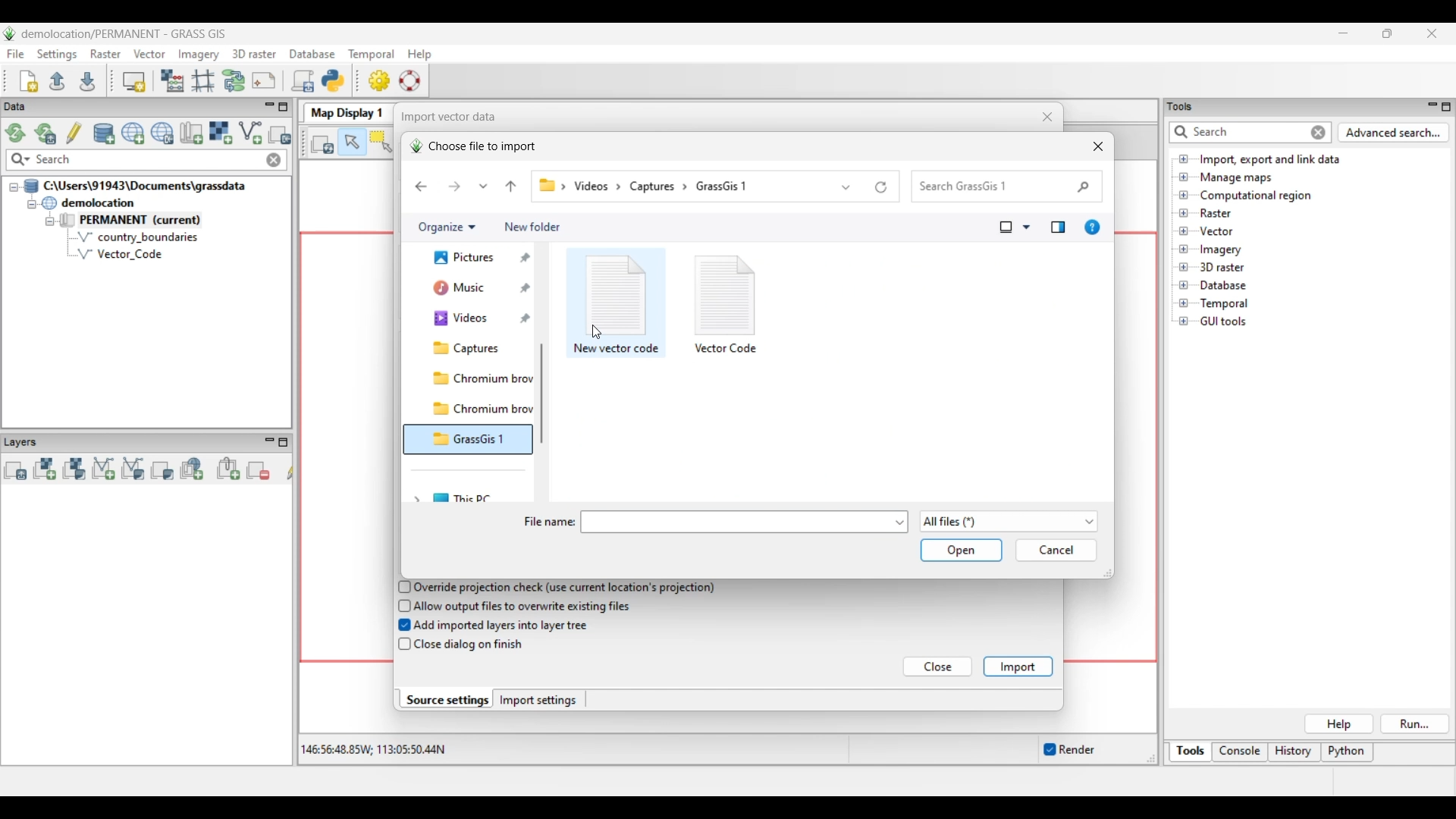 The width and height of the screenshot is (1456, 819). I want to click on icon, so click(726, 291).